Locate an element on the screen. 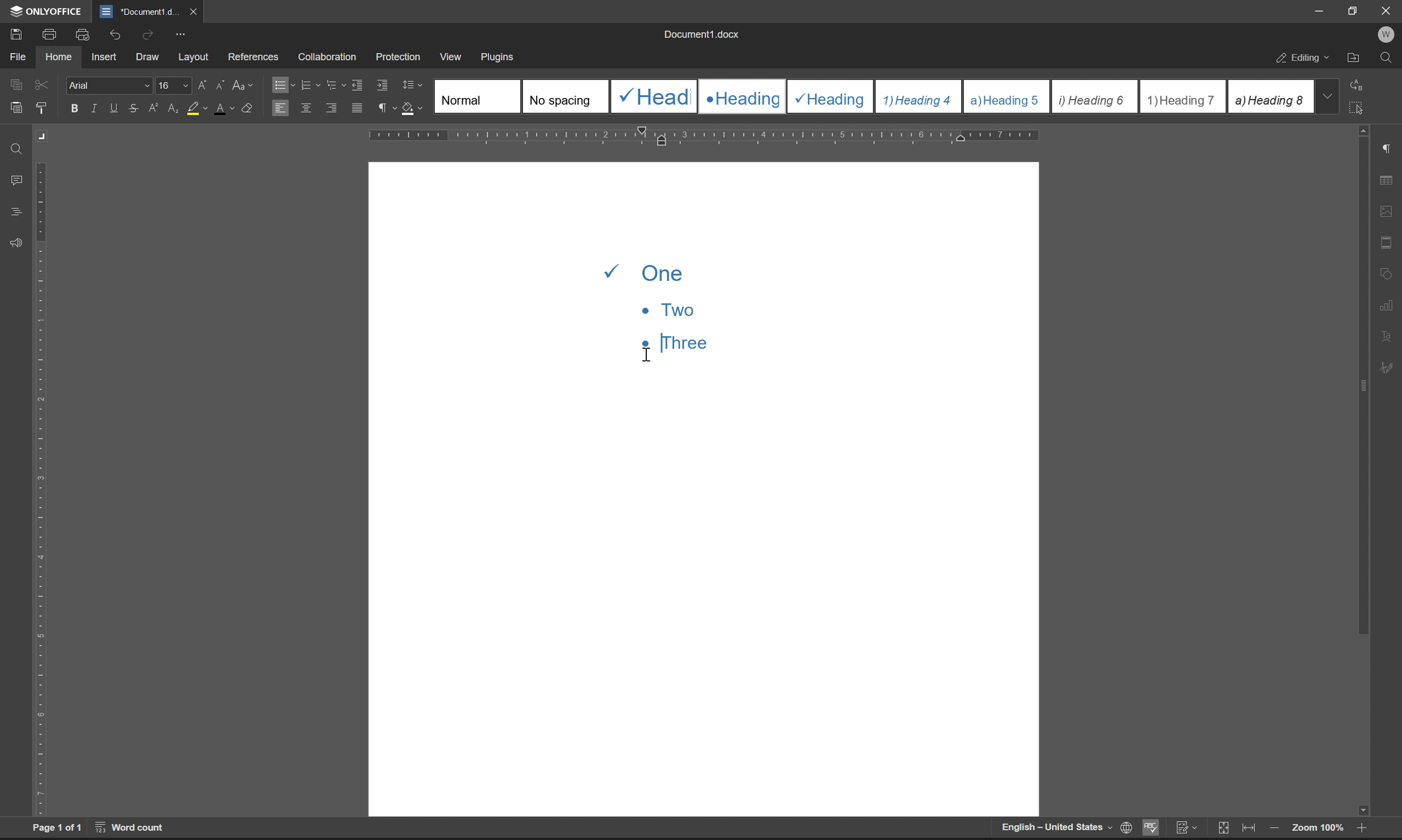 The height and width of the screenshot is (840, 1402). clear style is located at coordinates (248, 106).